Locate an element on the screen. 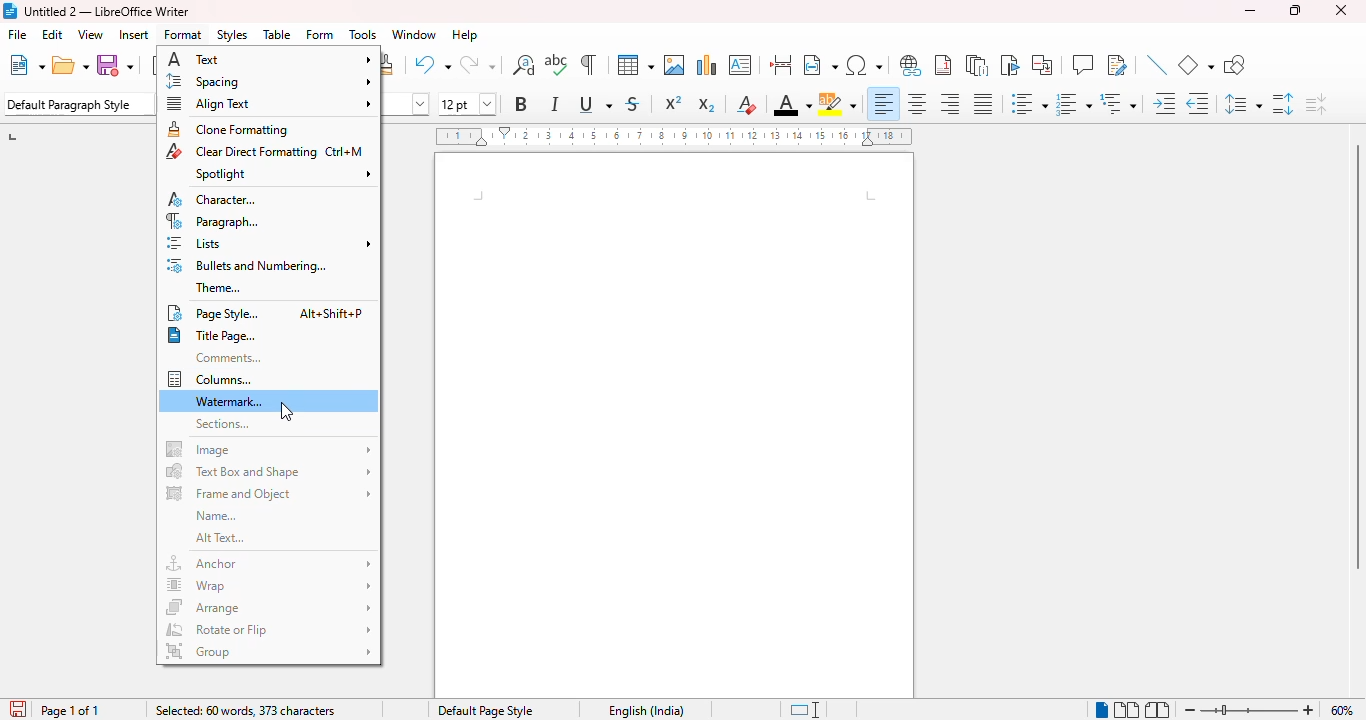 Image resolution: width=1366 pixels, height=720 pixels. set paragraph style is located at coordinates (79, 104).